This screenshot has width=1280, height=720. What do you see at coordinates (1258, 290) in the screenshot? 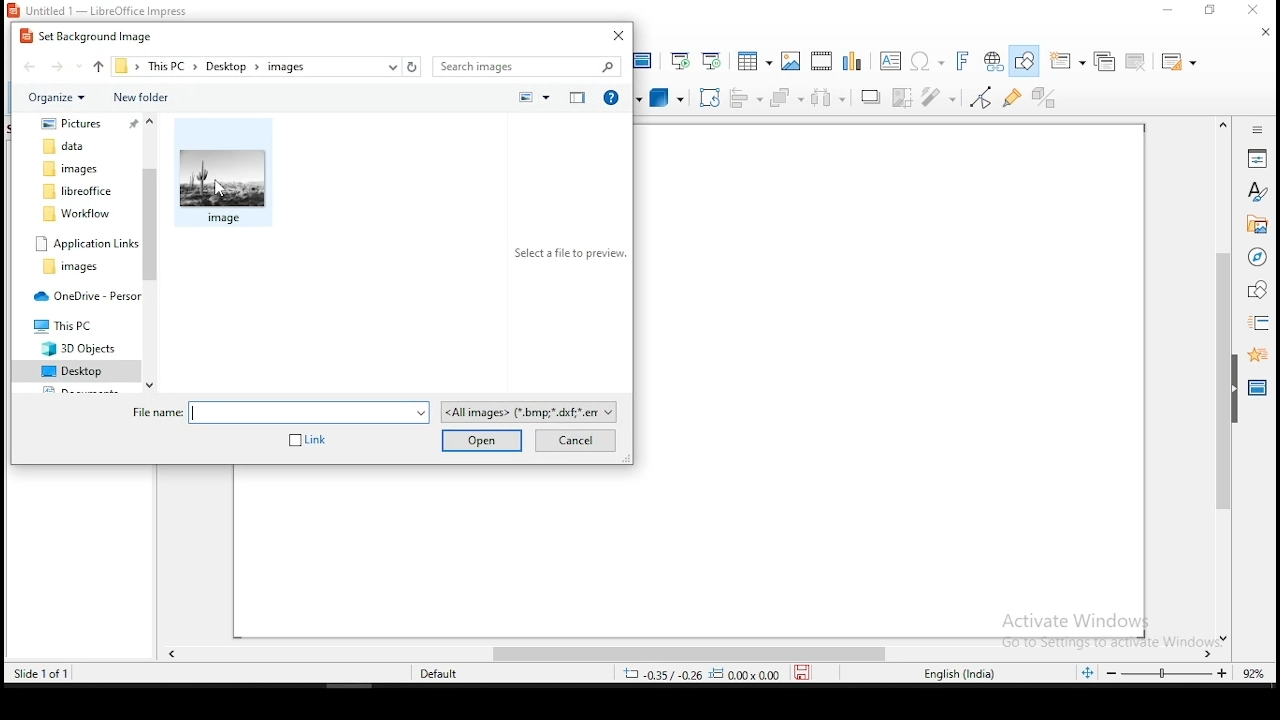
I see `shapes` at bounding box center [1258, 290].